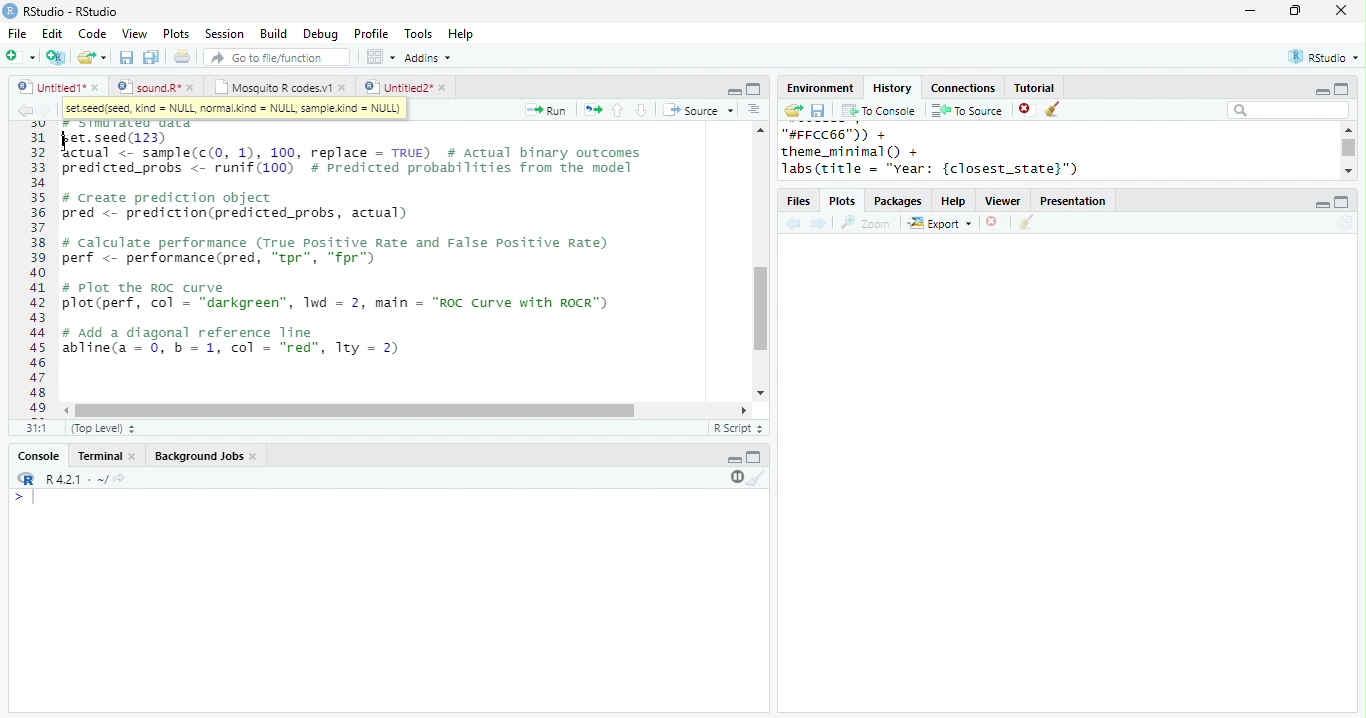 The width and height of the screenshot is (1366, 718). What do you see at coordinates (819, 88) in the screenshot?
I see `Environment` at bounding box center [819, 88].